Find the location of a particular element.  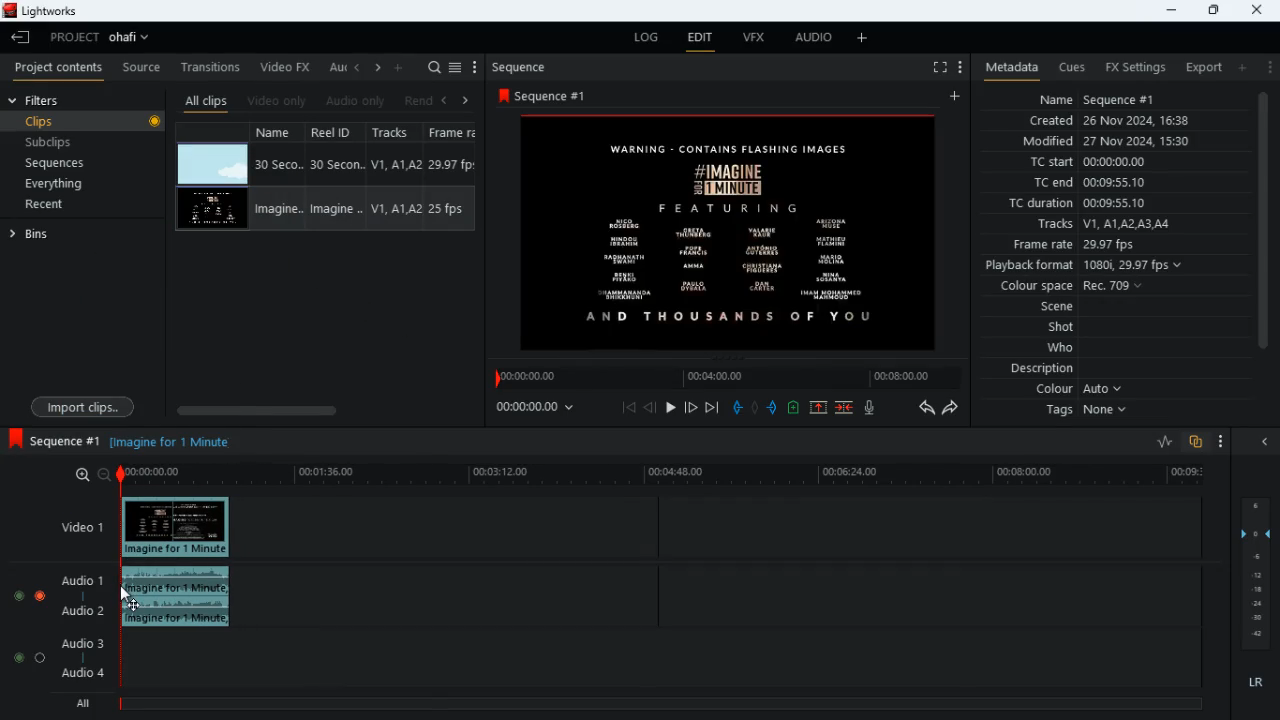

merge is located at coordinates (846, 409).